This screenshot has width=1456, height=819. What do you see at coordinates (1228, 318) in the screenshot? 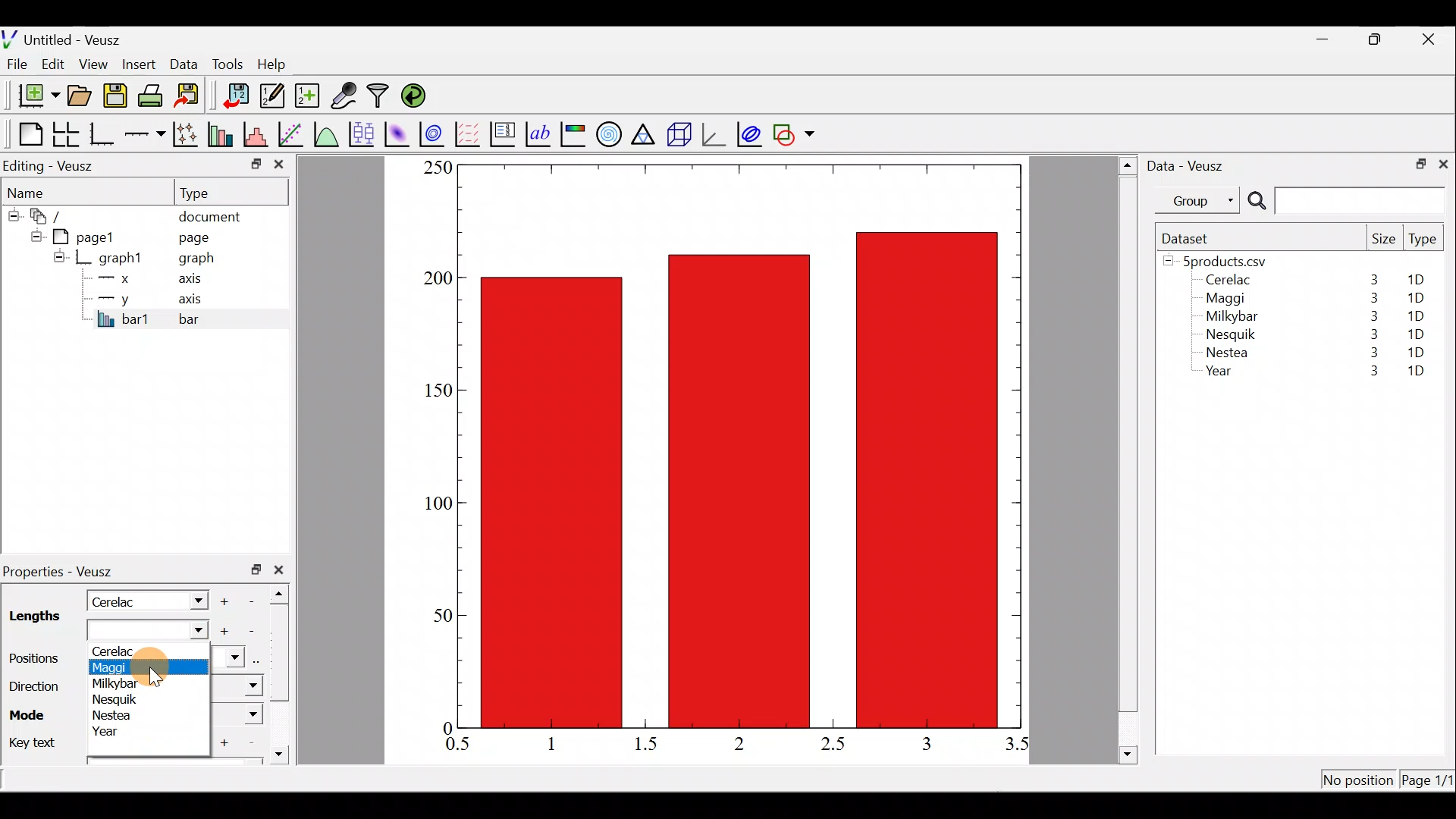
I see `Milkybar` at bounding box center [1228, 318].